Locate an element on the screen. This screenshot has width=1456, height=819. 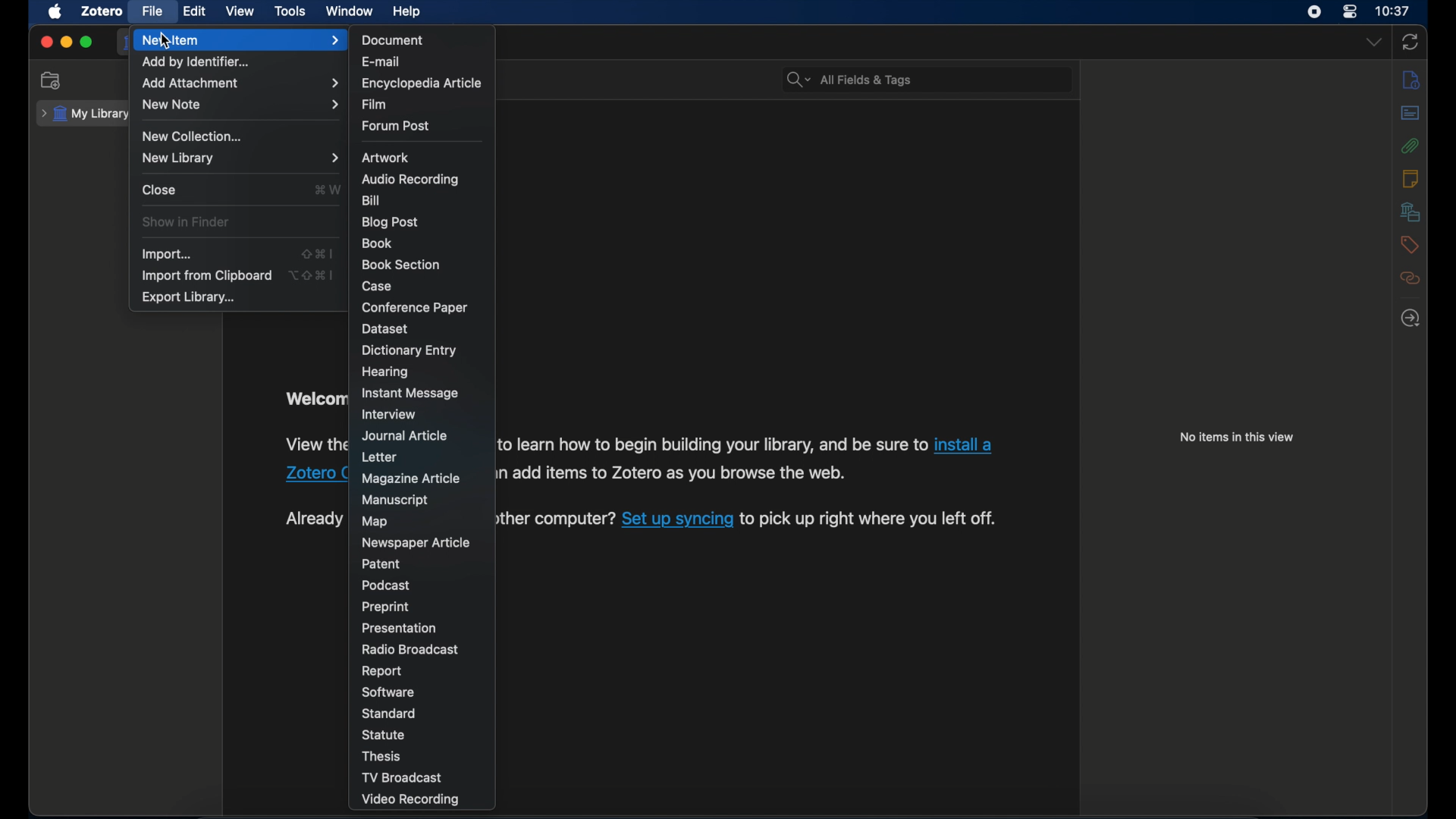
new library is located at coordinates (238, 158).